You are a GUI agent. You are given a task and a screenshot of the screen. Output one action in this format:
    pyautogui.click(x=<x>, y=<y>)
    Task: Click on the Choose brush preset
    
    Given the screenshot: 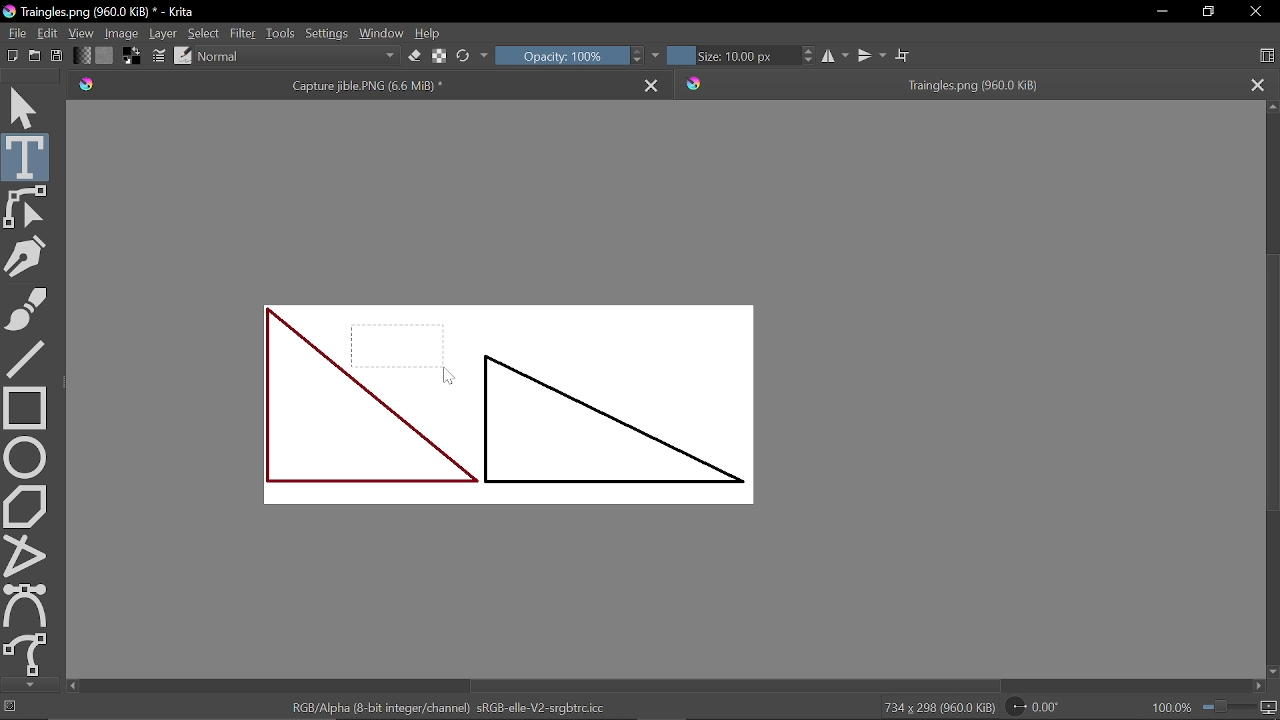 What is the action you would take?
    pyautogui.click(x=183, y=55)
    